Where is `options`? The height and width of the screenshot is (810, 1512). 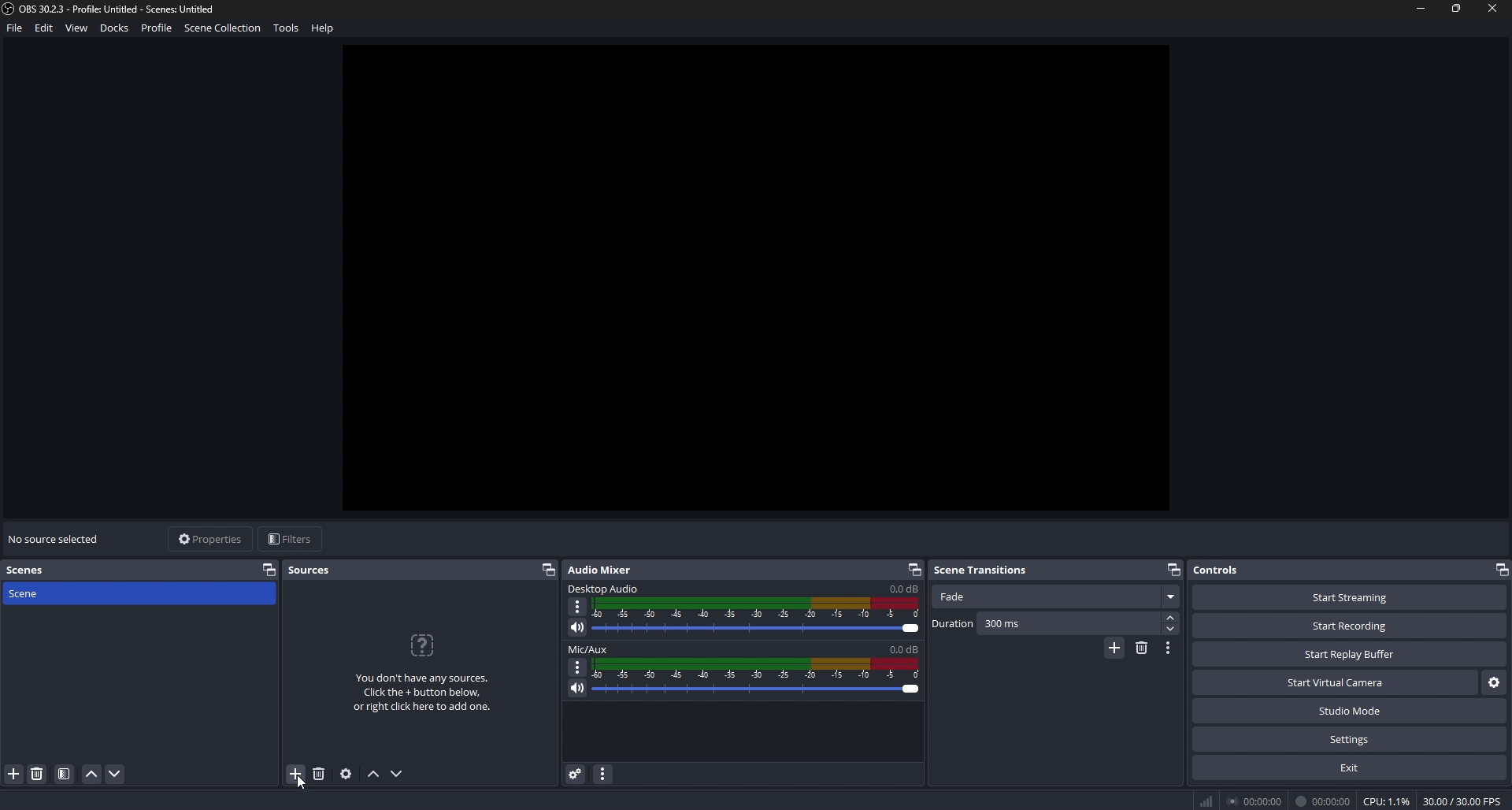
options is located at coordinates (579, 607).